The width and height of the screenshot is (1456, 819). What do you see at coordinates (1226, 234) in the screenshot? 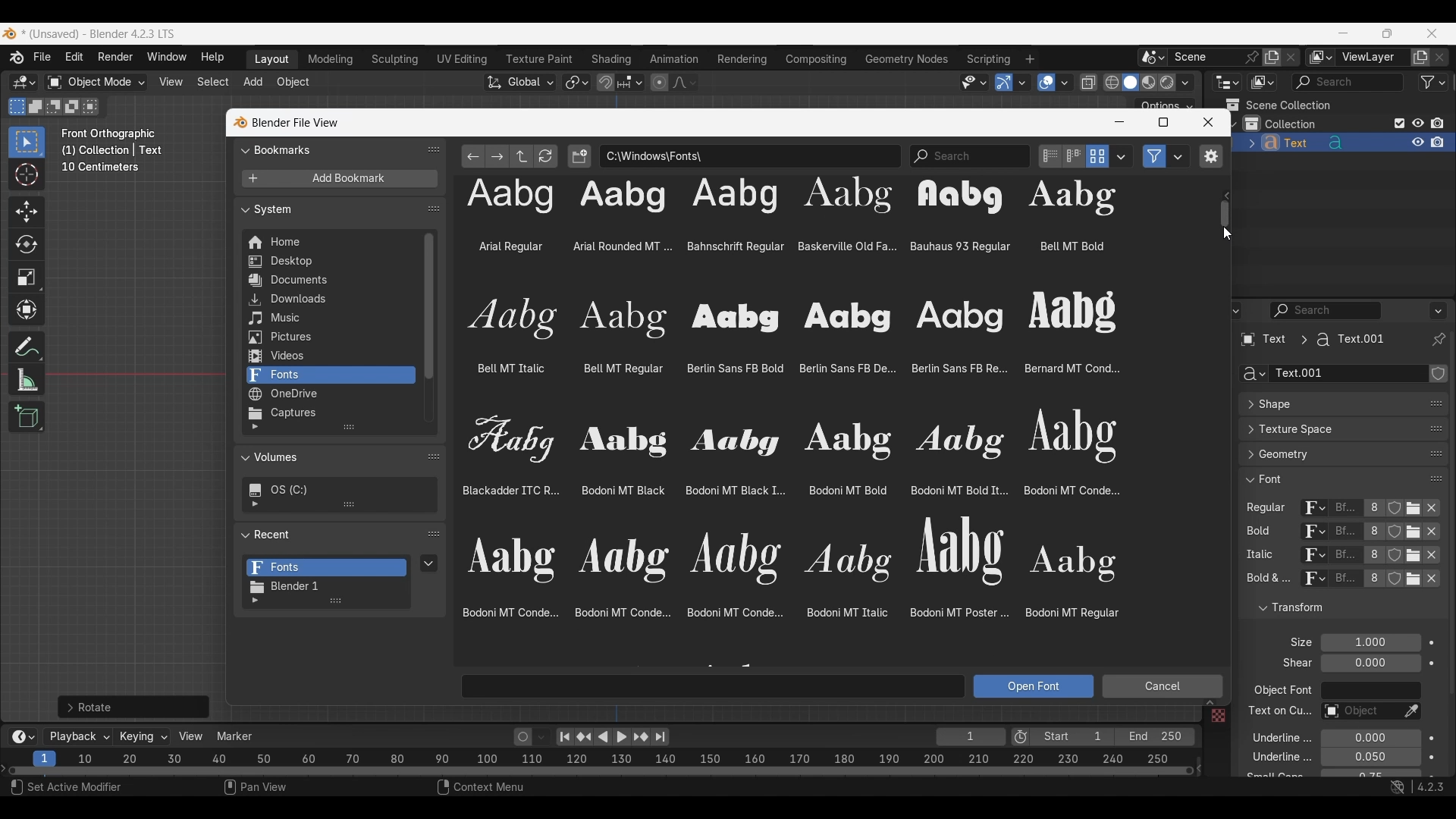
I see `Cursor dragging vertical slide bar` at bounding box center [1226, 234].